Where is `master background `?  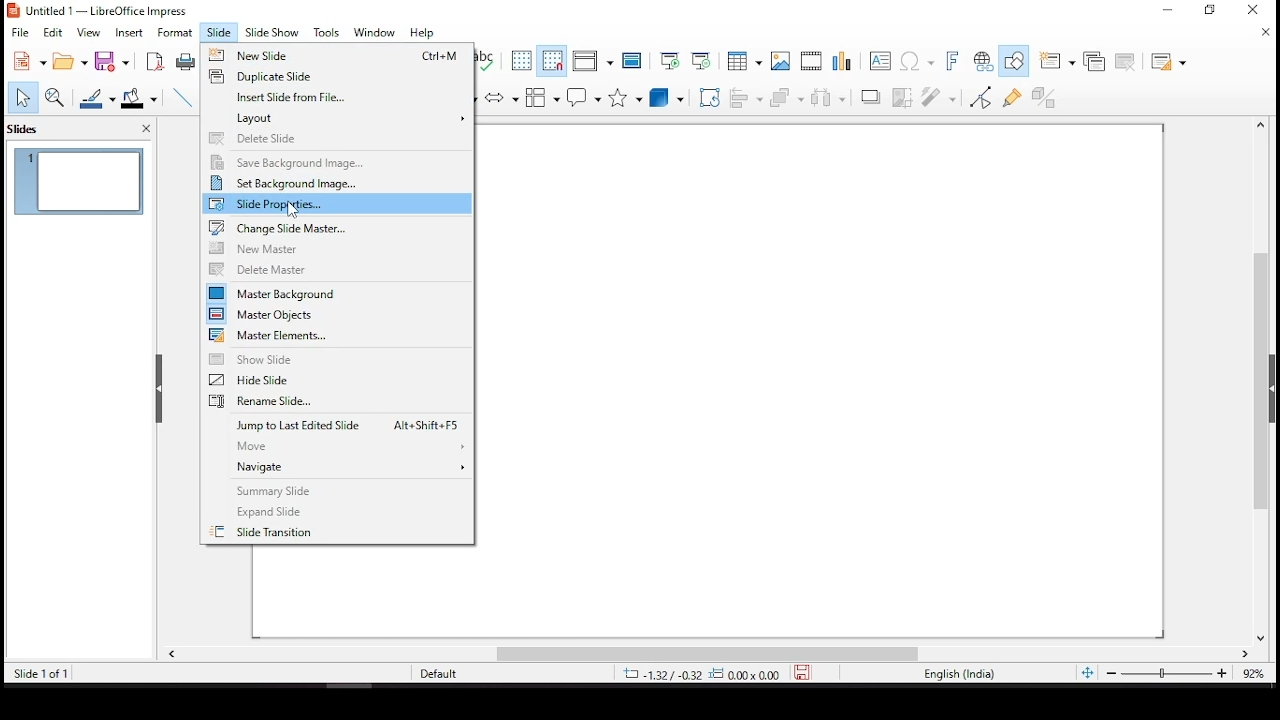
master background  is located at coordinates (335, 293).